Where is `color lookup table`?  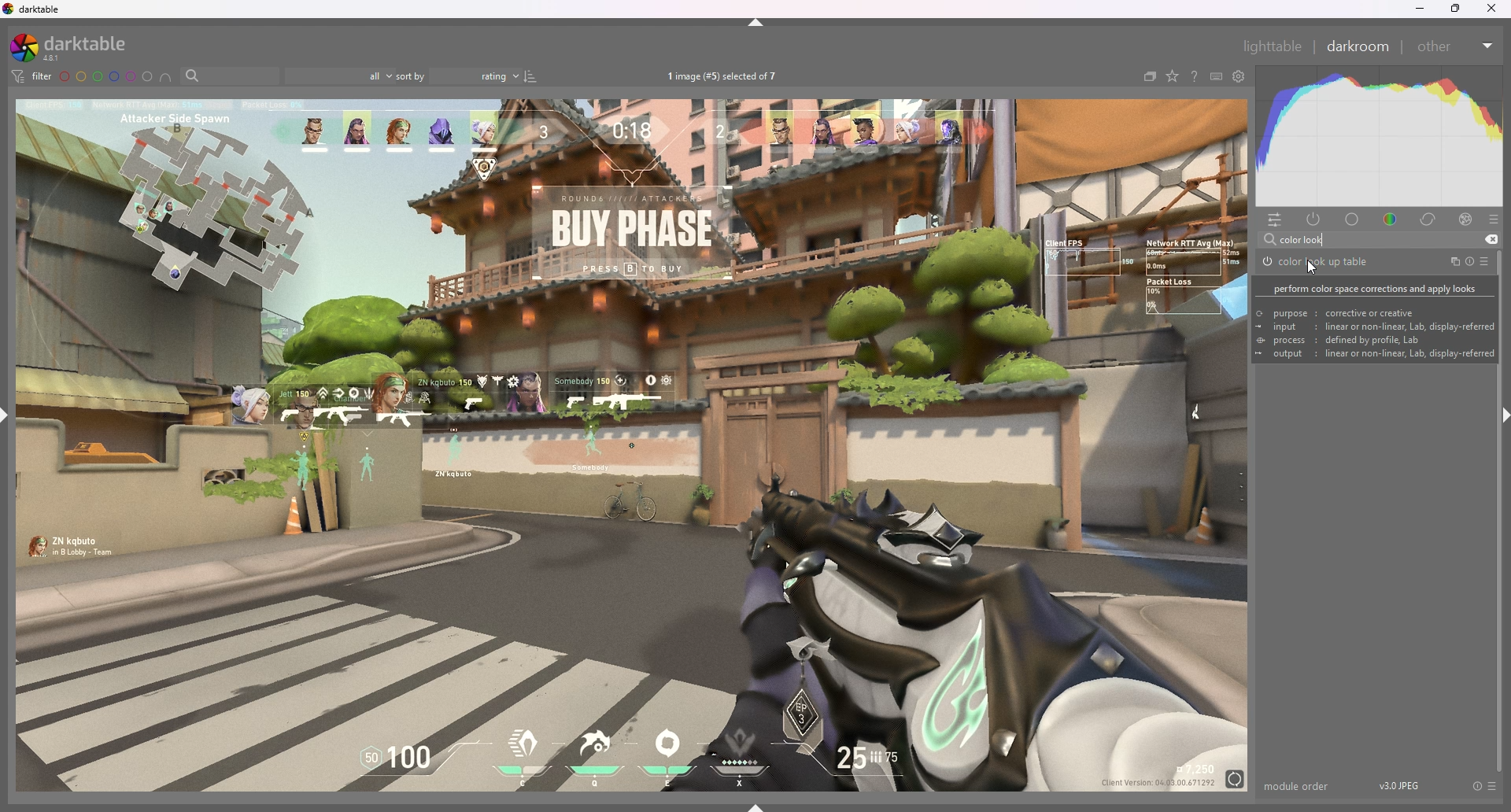 color lookup table is located at coordinates (1315, 262).